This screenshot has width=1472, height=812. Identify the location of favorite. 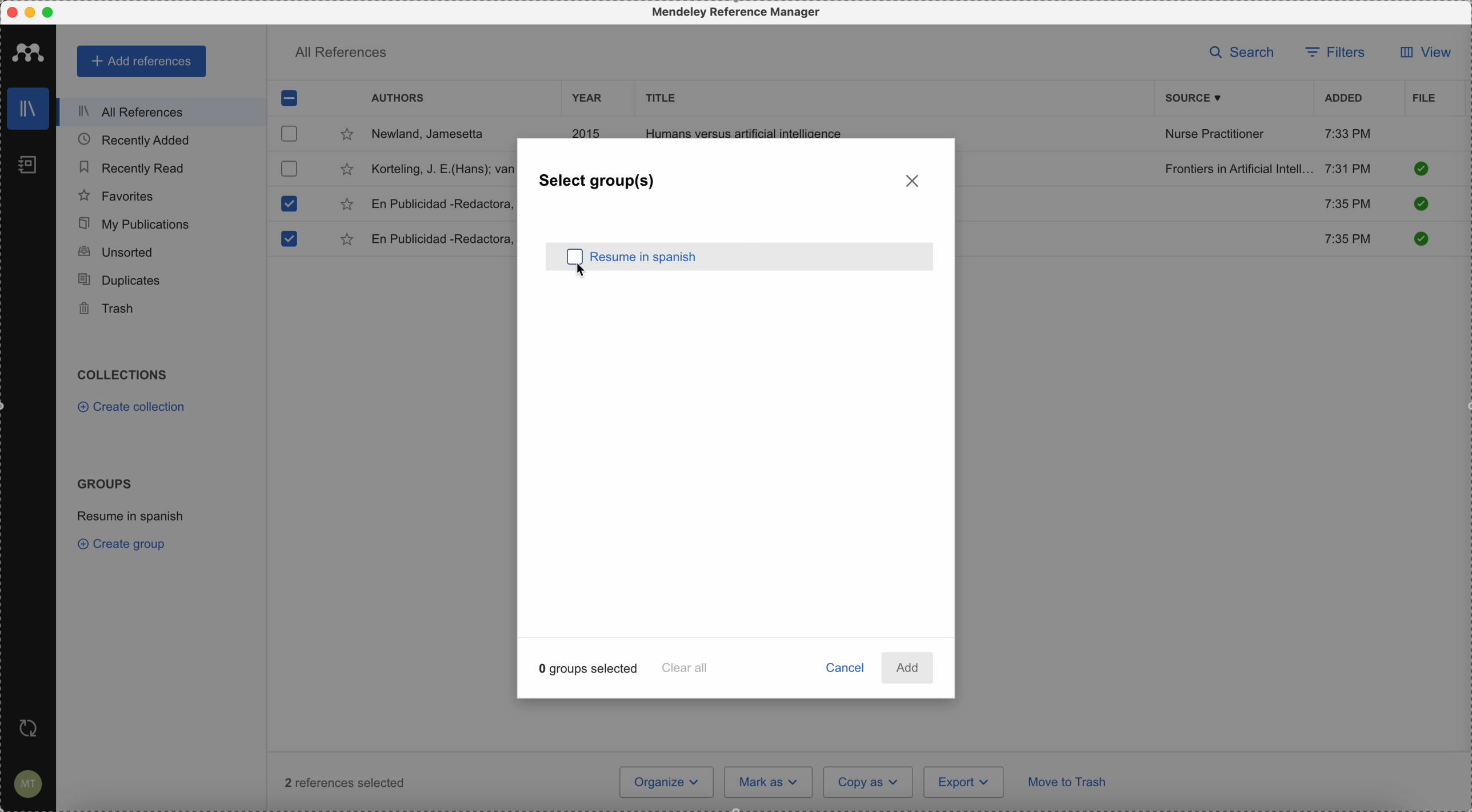
(347, 171).